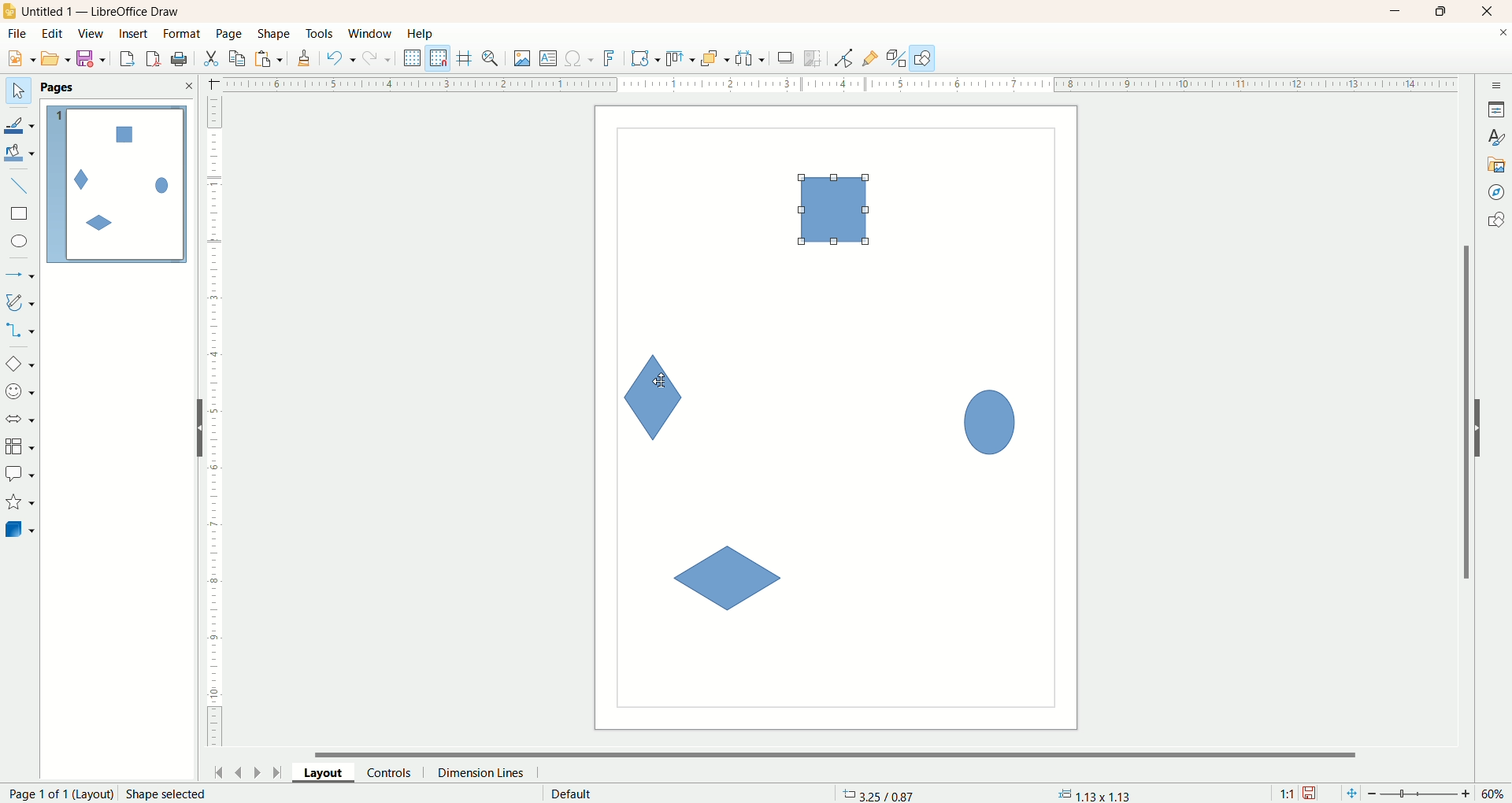 Image resolution: width=1512 pixels, height=803 pixels. What do you see at coordinates (380, 57) in the screenshot?
I see `redo` at bounding box center [380, 57].